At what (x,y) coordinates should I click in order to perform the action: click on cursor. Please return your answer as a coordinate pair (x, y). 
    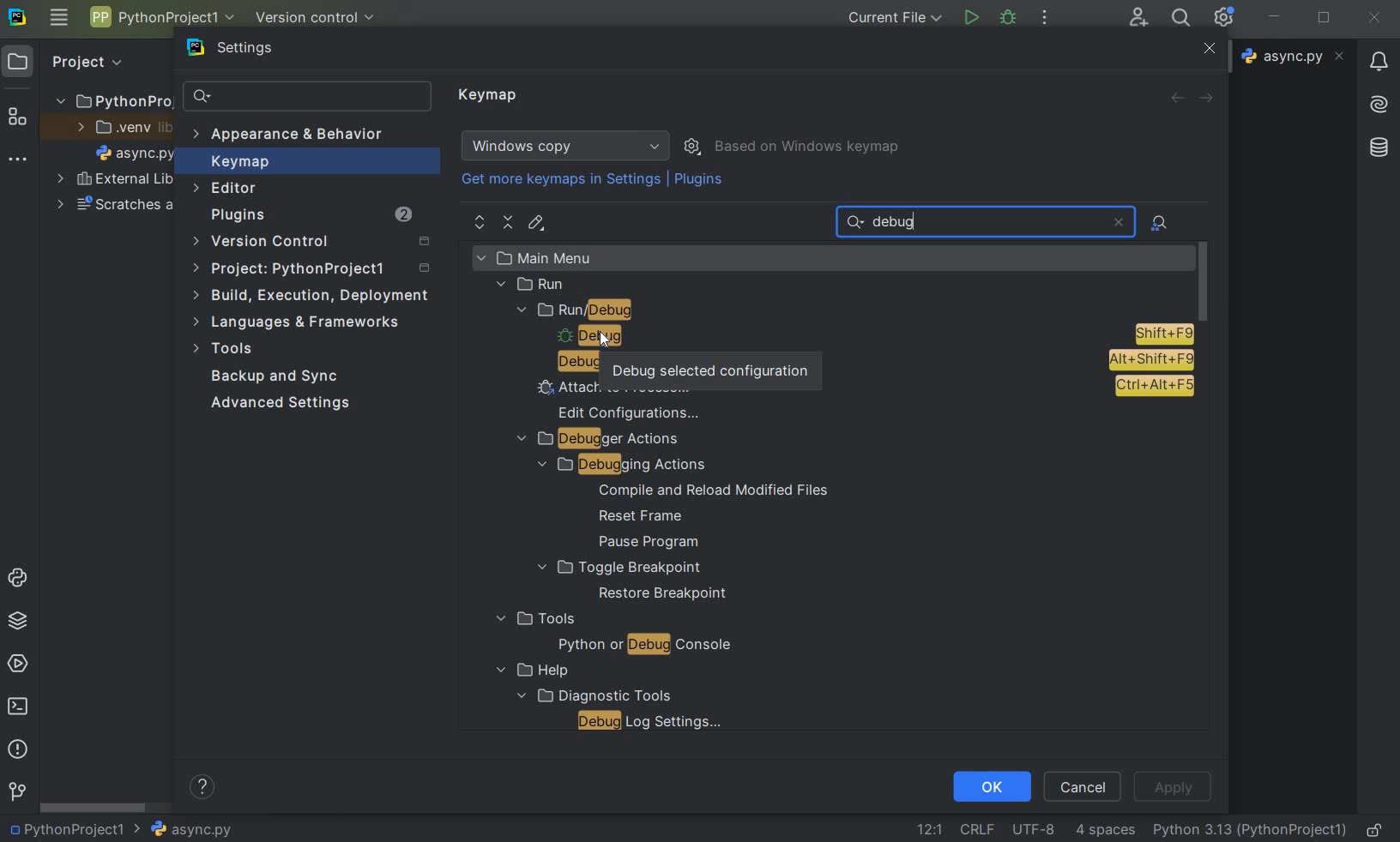
    Looking at the image, I should click on (606, 340).